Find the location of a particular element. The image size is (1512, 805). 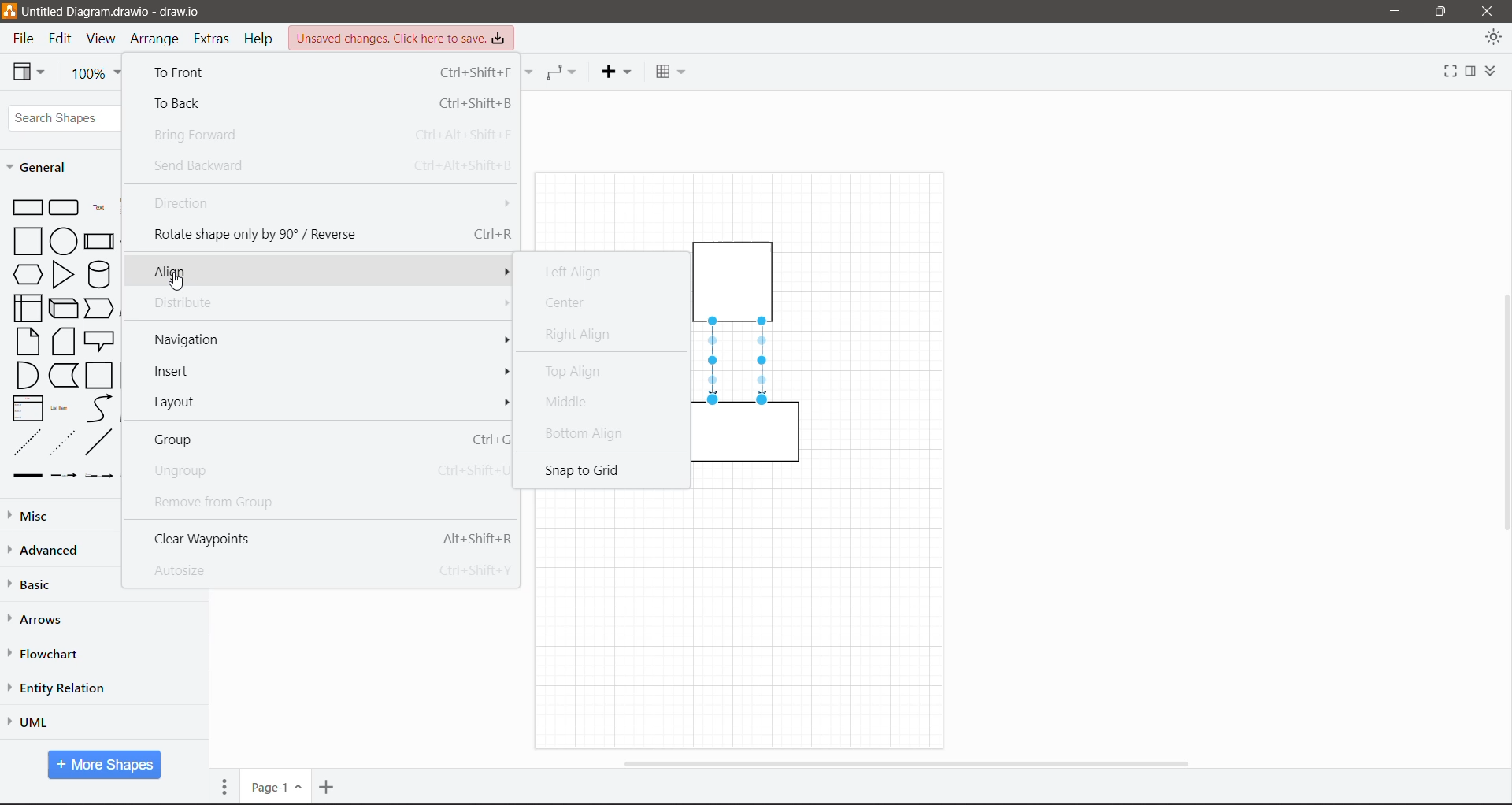

Bring Forward is located at coordinates (332, 137).